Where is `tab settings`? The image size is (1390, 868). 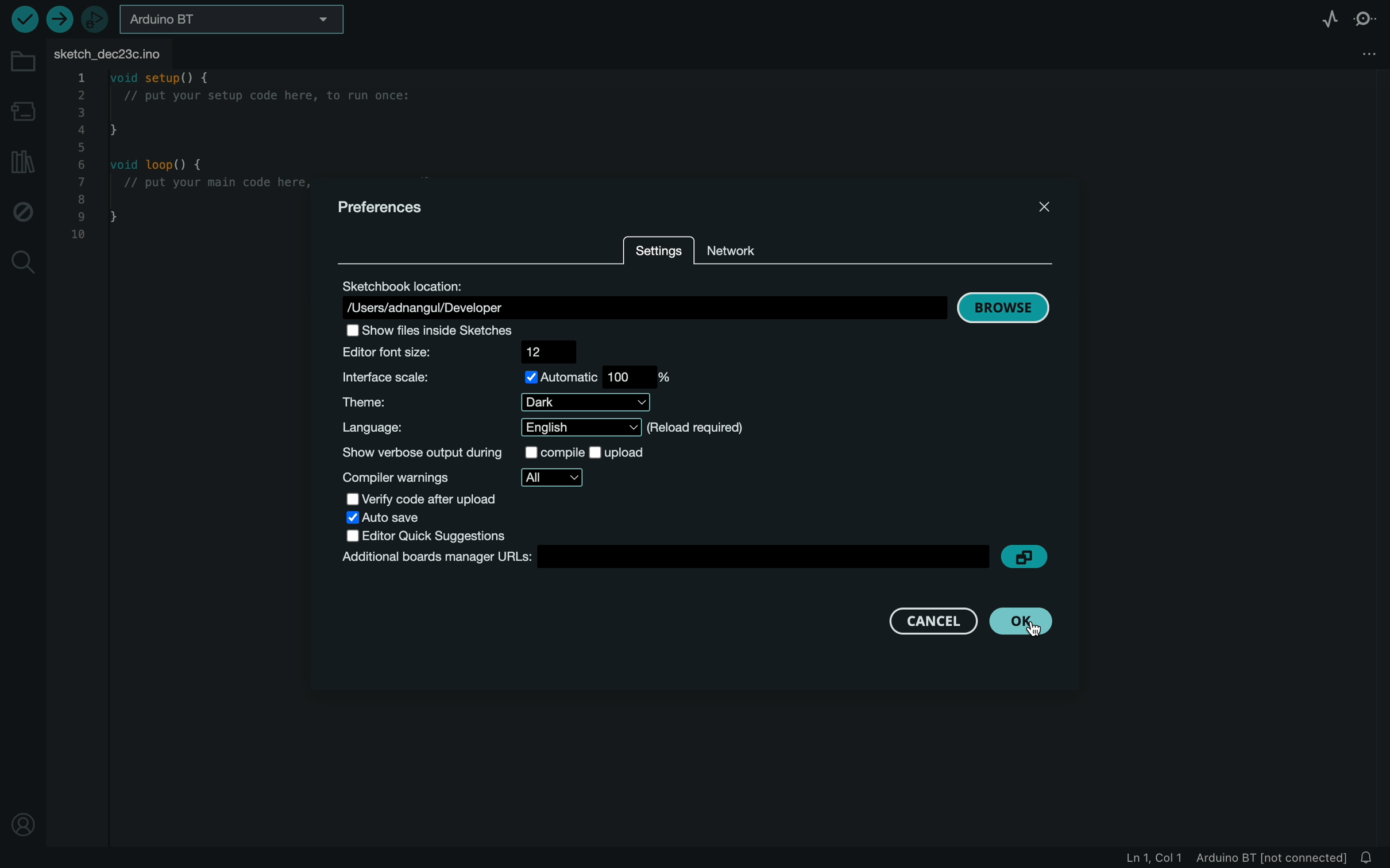
tab settings is located at coordinates (1365, 57).